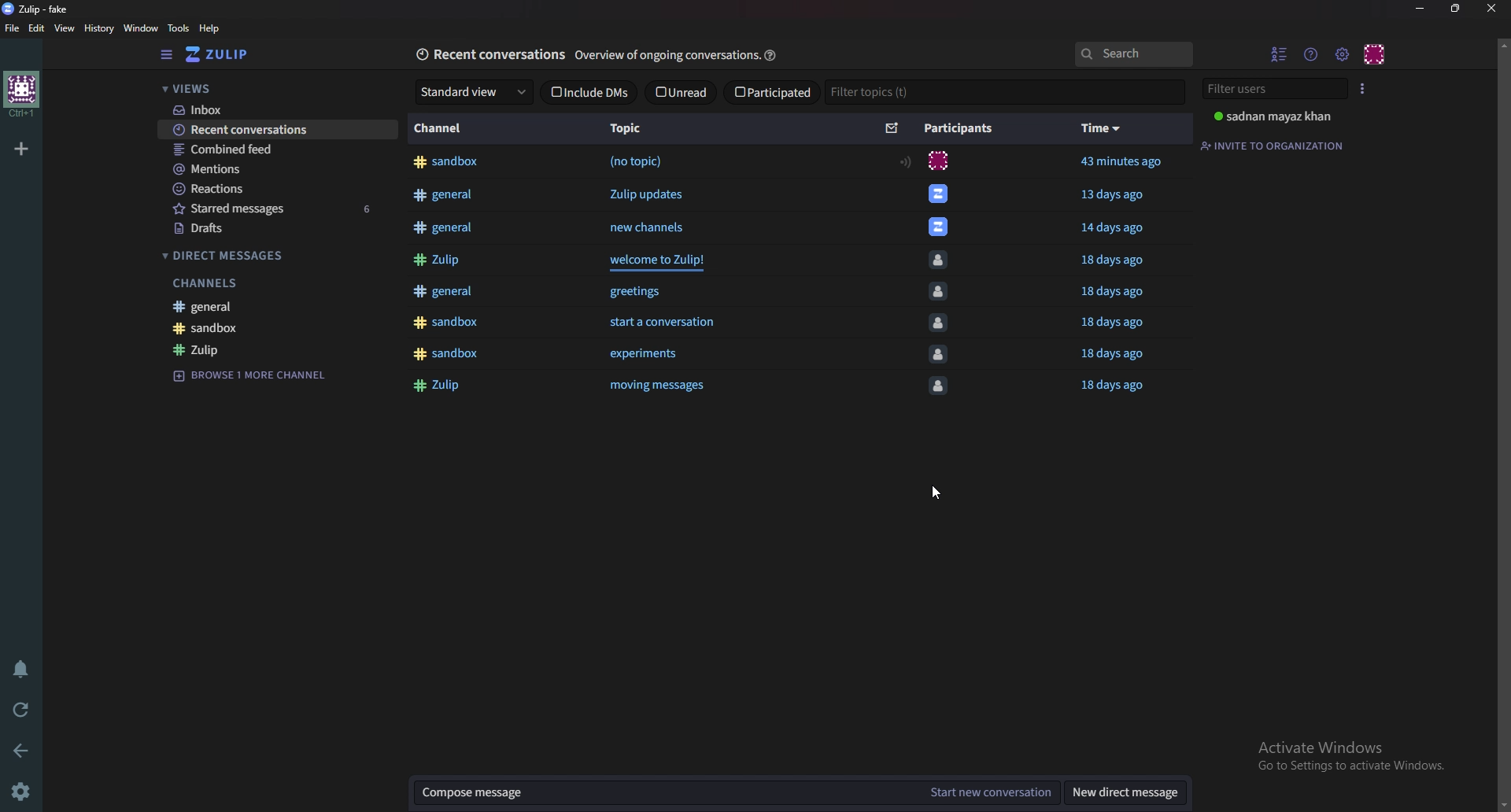  What do you see at coordinates (227, 55) in the screenshot?
I see `Home view` at bounding box center [227, 55].